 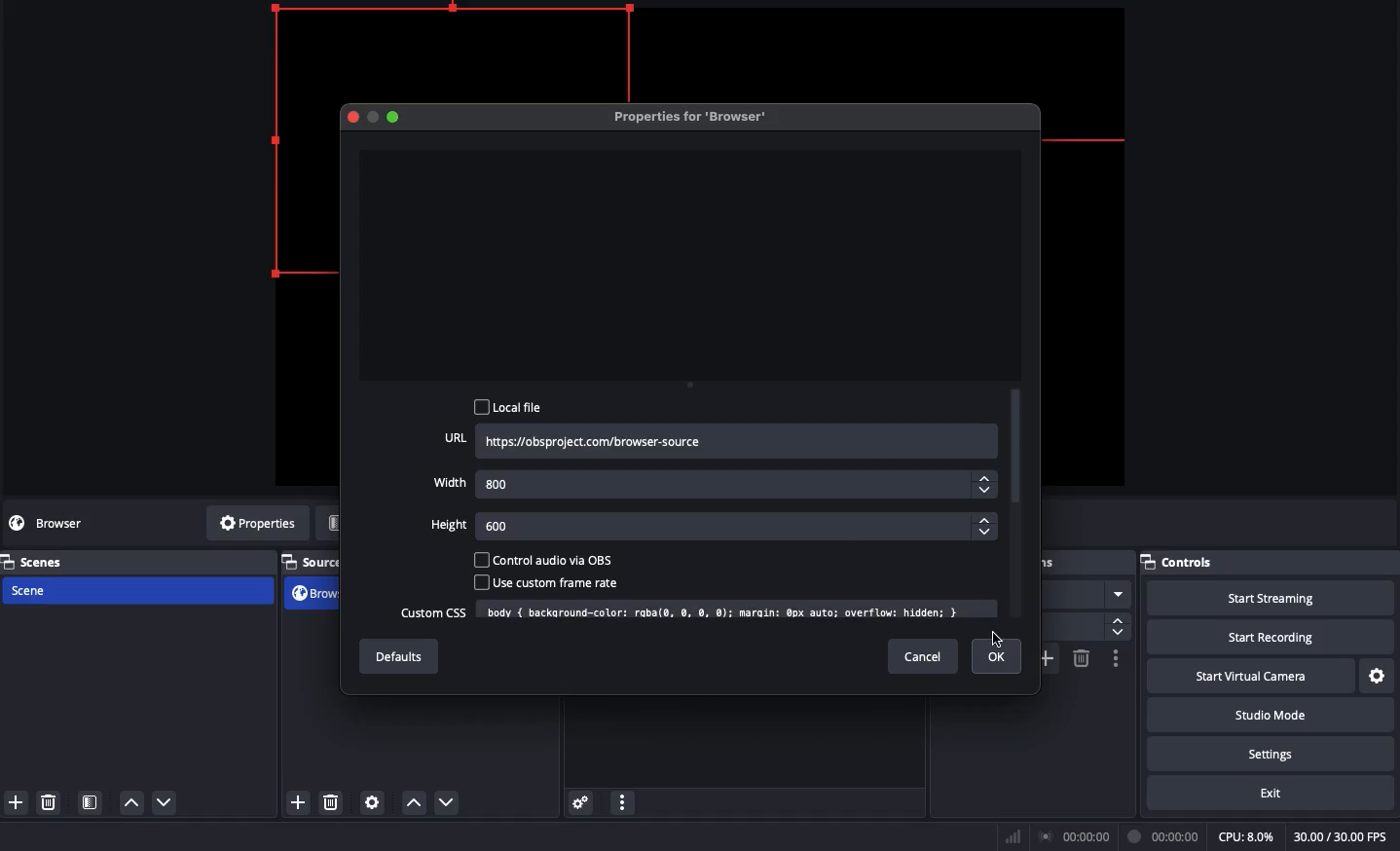 What do you see at coordinates (1277, 594) in the screenshot?
I see `Start streaming` at bounding box center [1277, 594].